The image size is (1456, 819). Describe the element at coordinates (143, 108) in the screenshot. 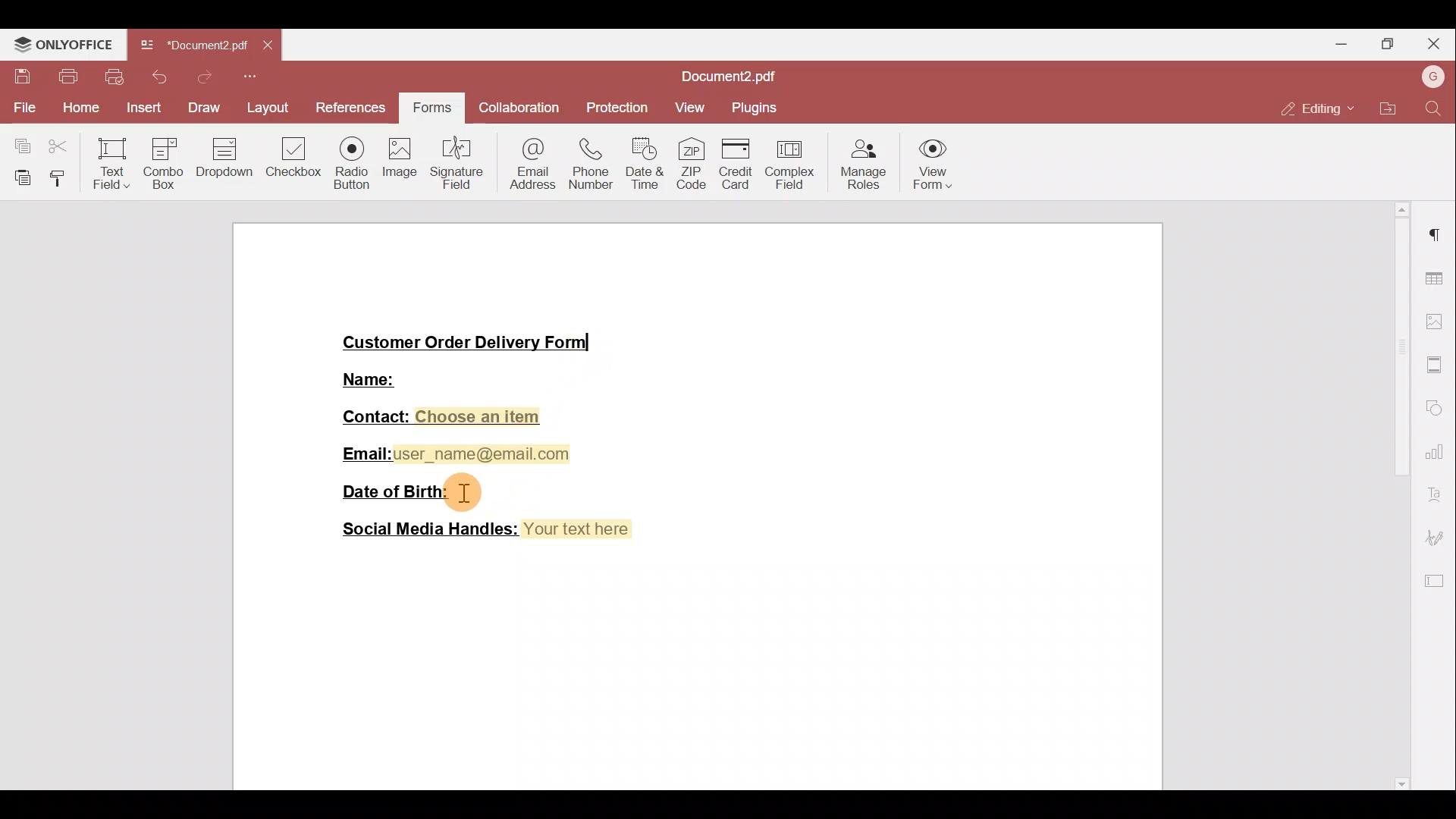

I see `Insert` at that location.